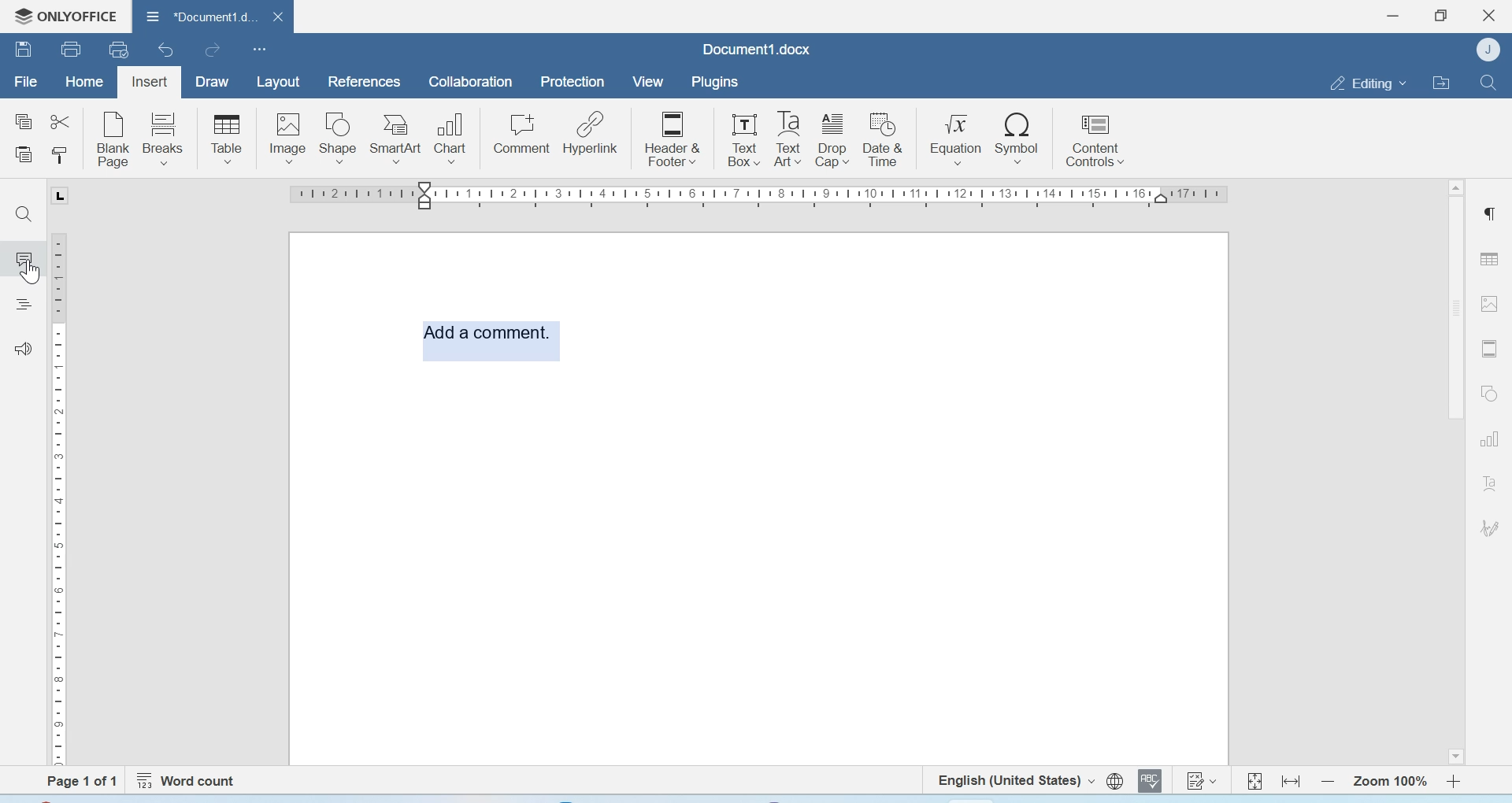 The image size is (1512, 803). What do you see at coordinates (114, 139) in the screenshot?
I see `Blank page` at bounding box center [114, 139].